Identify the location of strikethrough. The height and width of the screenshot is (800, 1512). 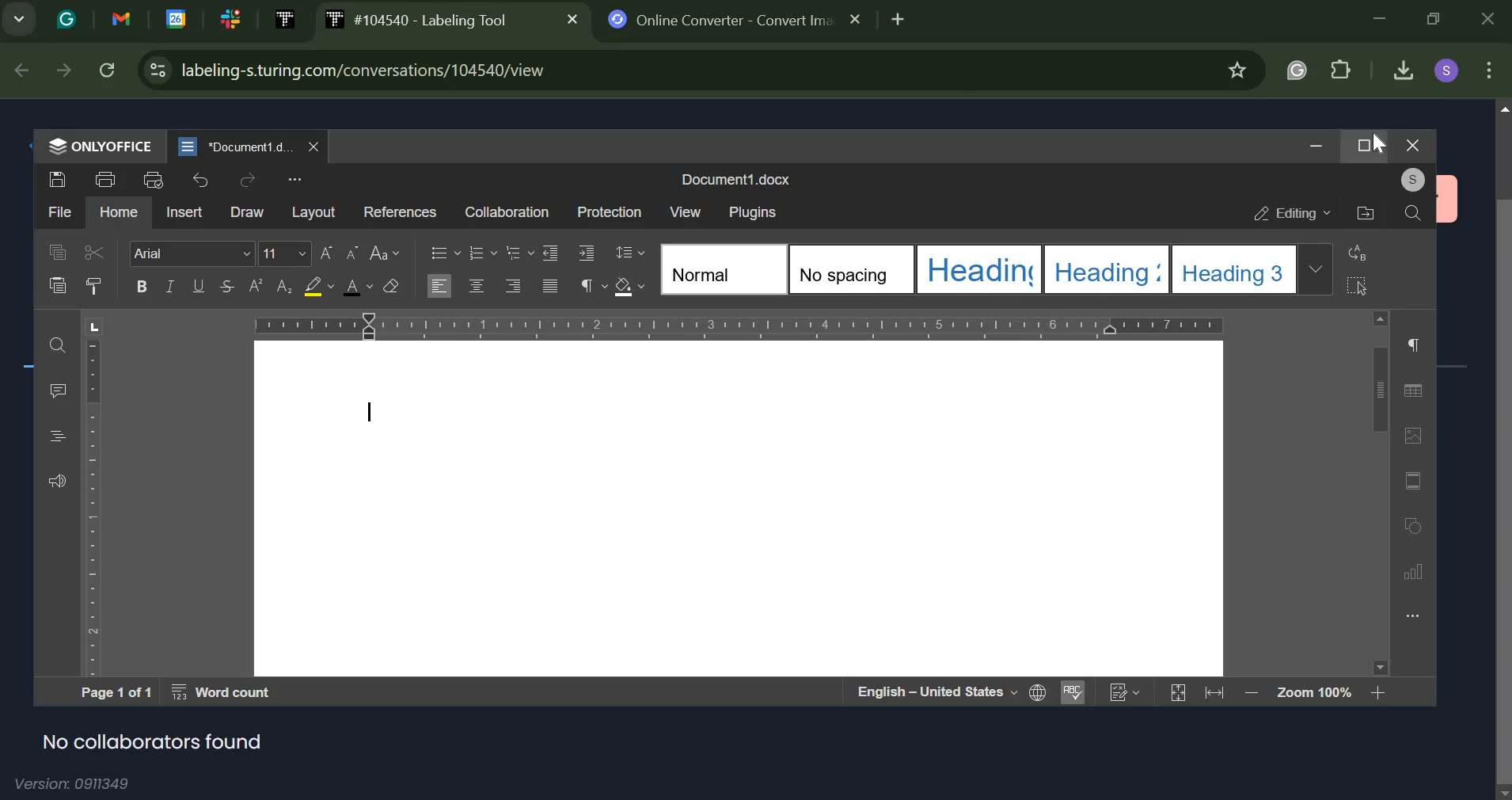
(225, 284).